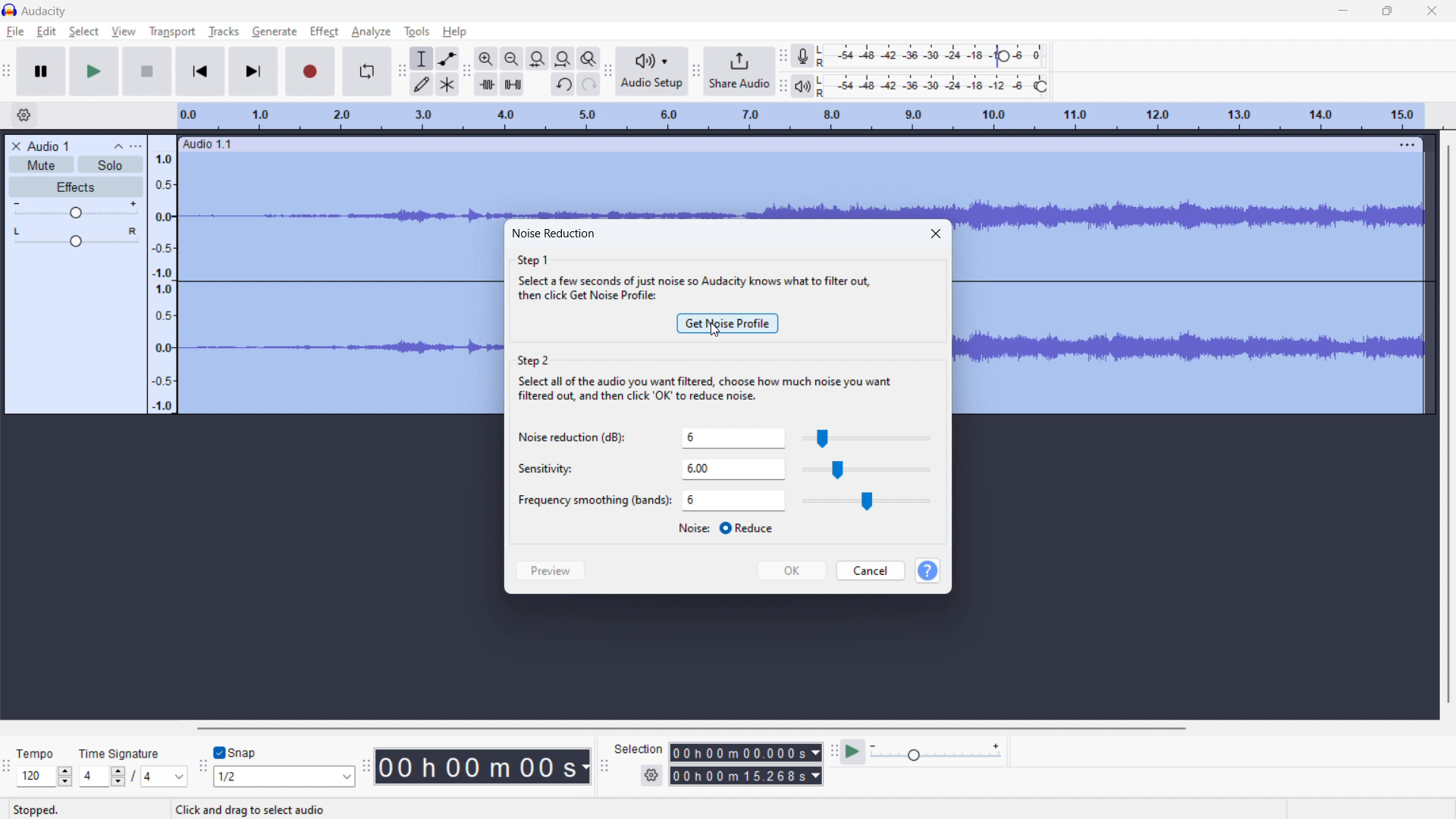  Describe the element at coordinates (563, 84) in the screenshot. I see `undo` at that location.